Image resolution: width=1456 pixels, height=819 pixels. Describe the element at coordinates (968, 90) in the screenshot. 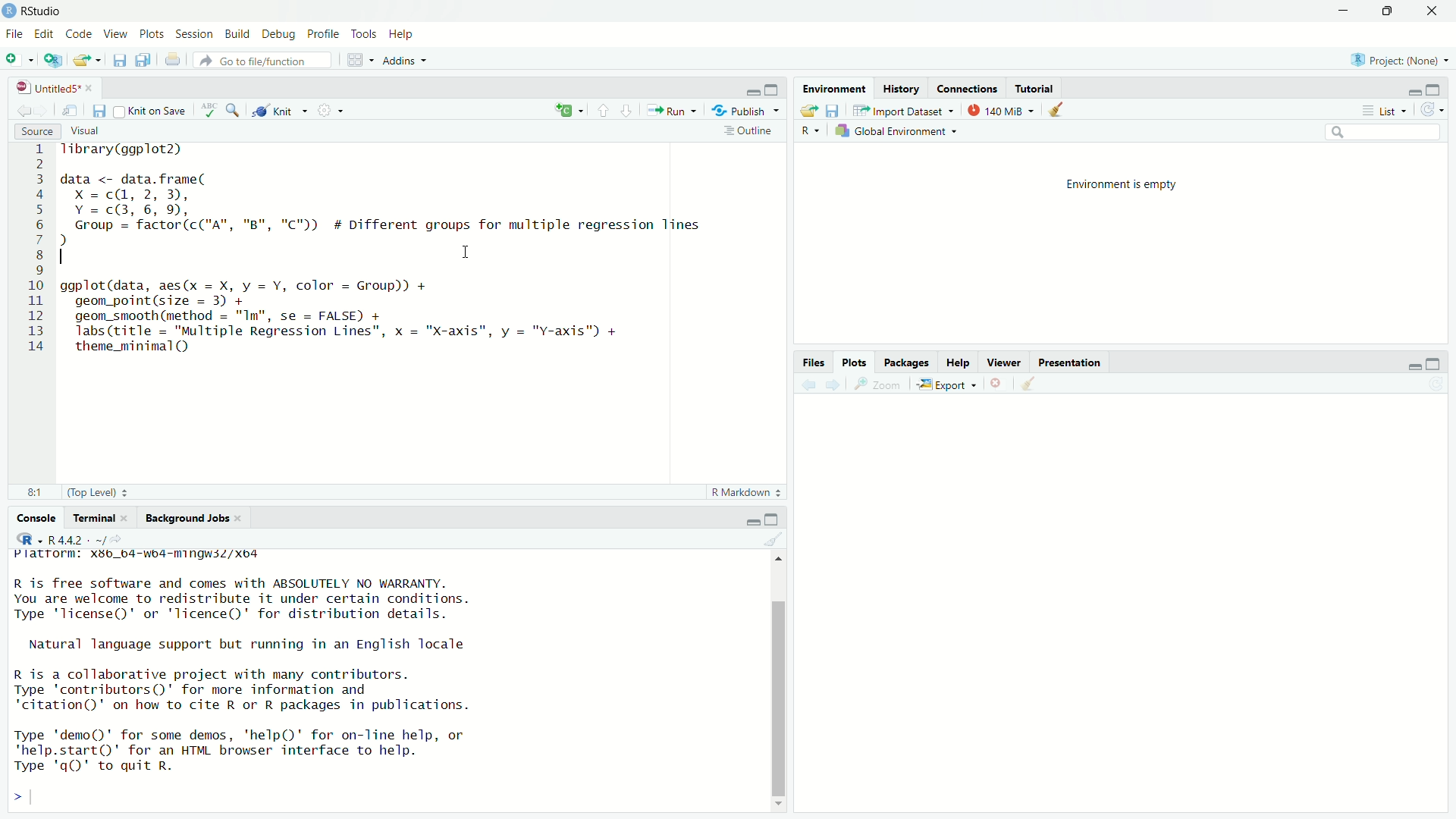

I see `Connections` at that location.